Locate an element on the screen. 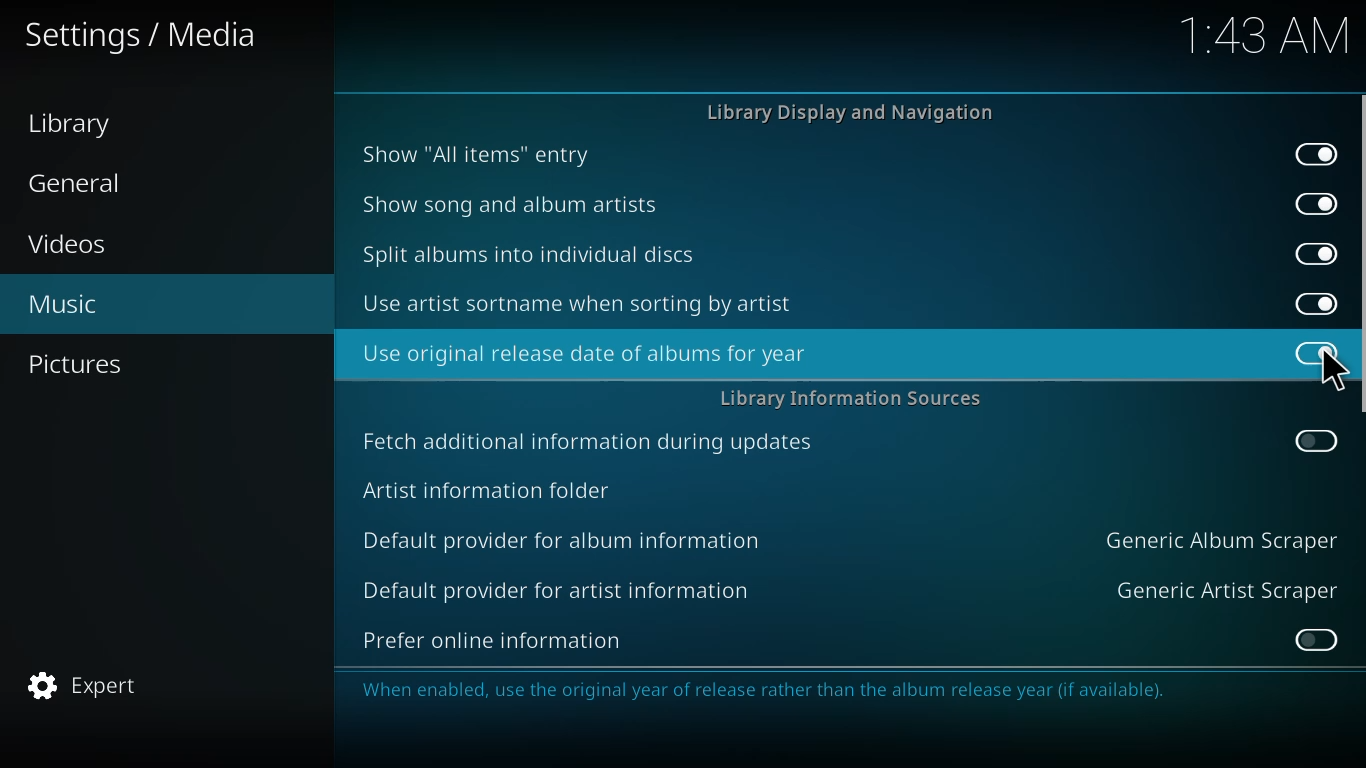 The height and width of the screenshot is (768, 1366). info is located at coordinates (826, 690).